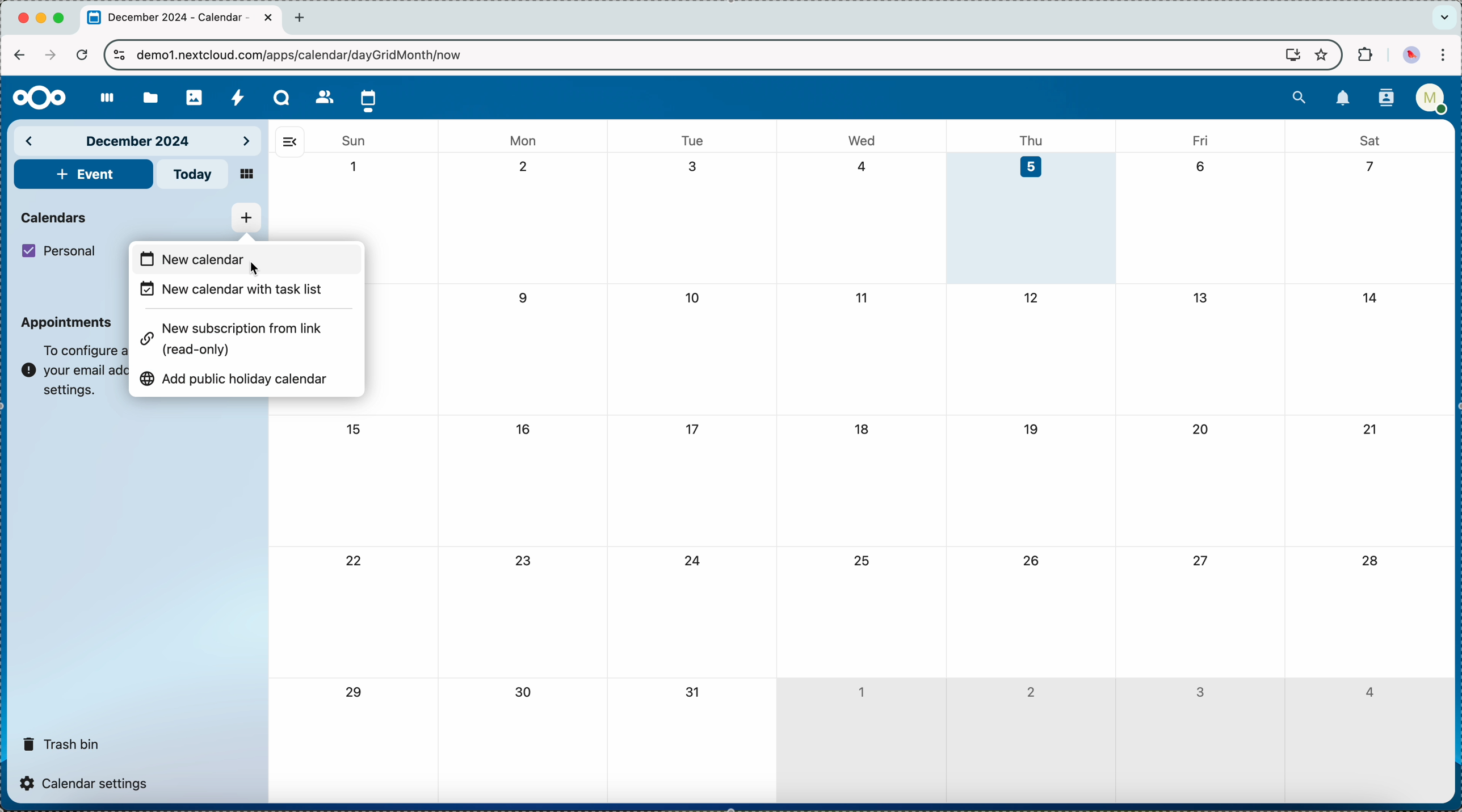 The height and width of the screenshot is (812, 1462). What do you see at coordinates (61, 251) in the screenshot?
I see `personal` at bounding box center [61, 251].